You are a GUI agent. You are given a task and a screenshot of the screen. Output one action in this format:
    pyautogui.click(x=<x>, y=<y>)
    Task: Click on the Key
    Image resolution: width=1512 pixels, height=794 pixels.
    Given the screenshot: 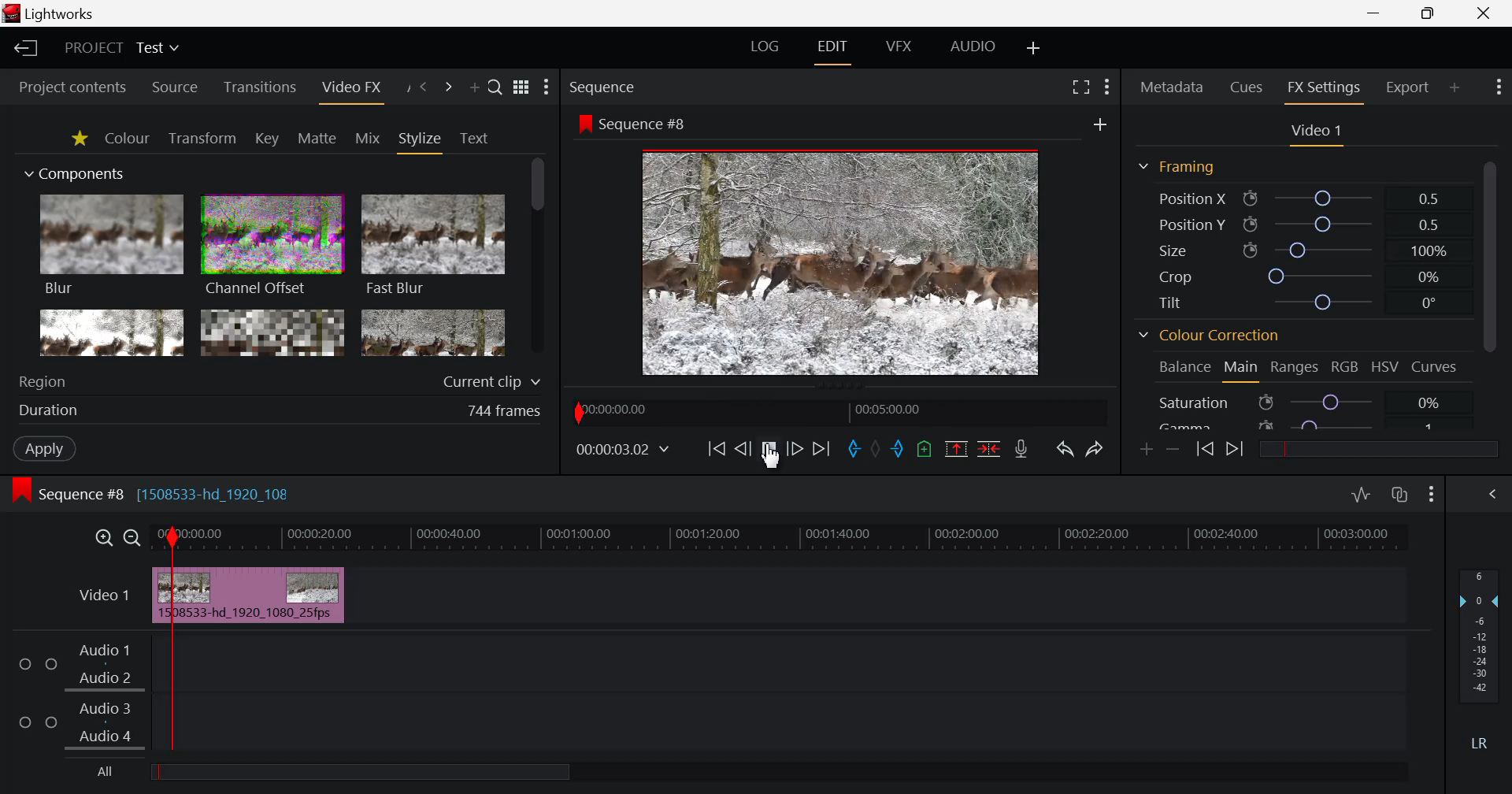 What is the action you would take?
    pyautogui.click(x=266, y=139)
    